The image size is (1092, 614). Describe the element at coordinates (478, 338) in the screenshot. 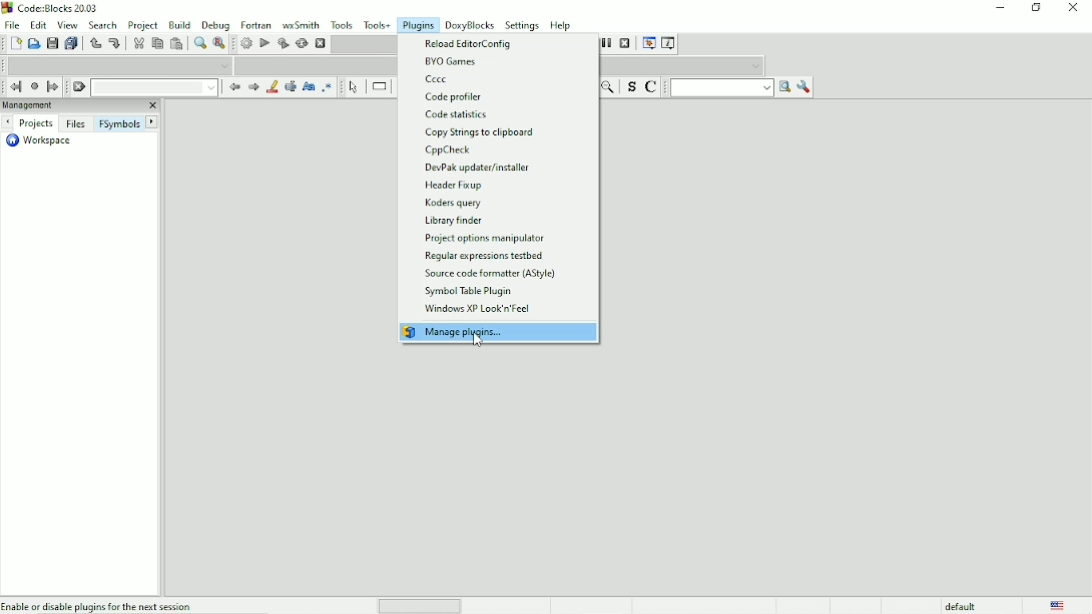

I see `Cursor` at that location.